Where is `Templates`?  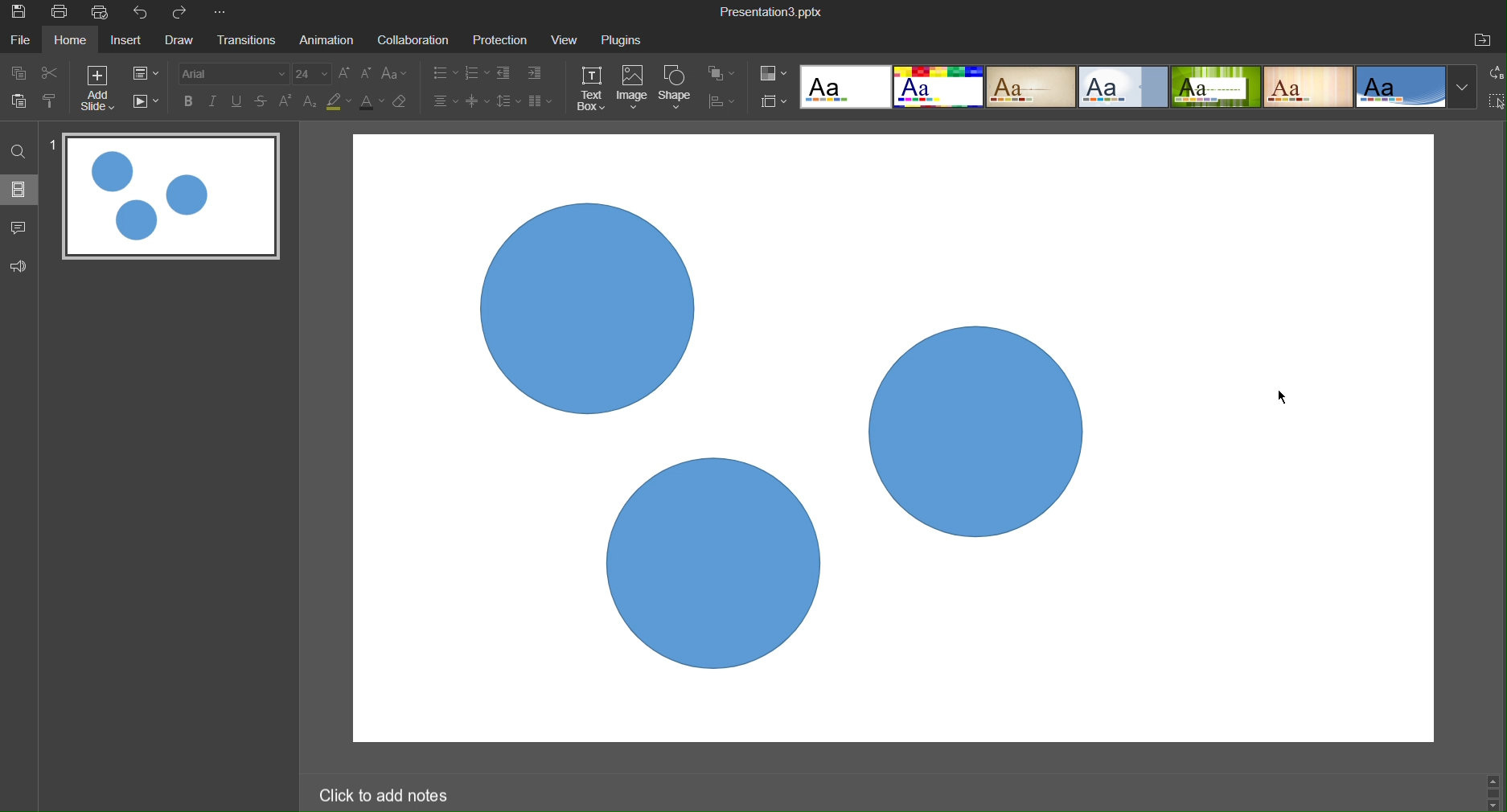 Templates is located at coordinates (1138, 90).